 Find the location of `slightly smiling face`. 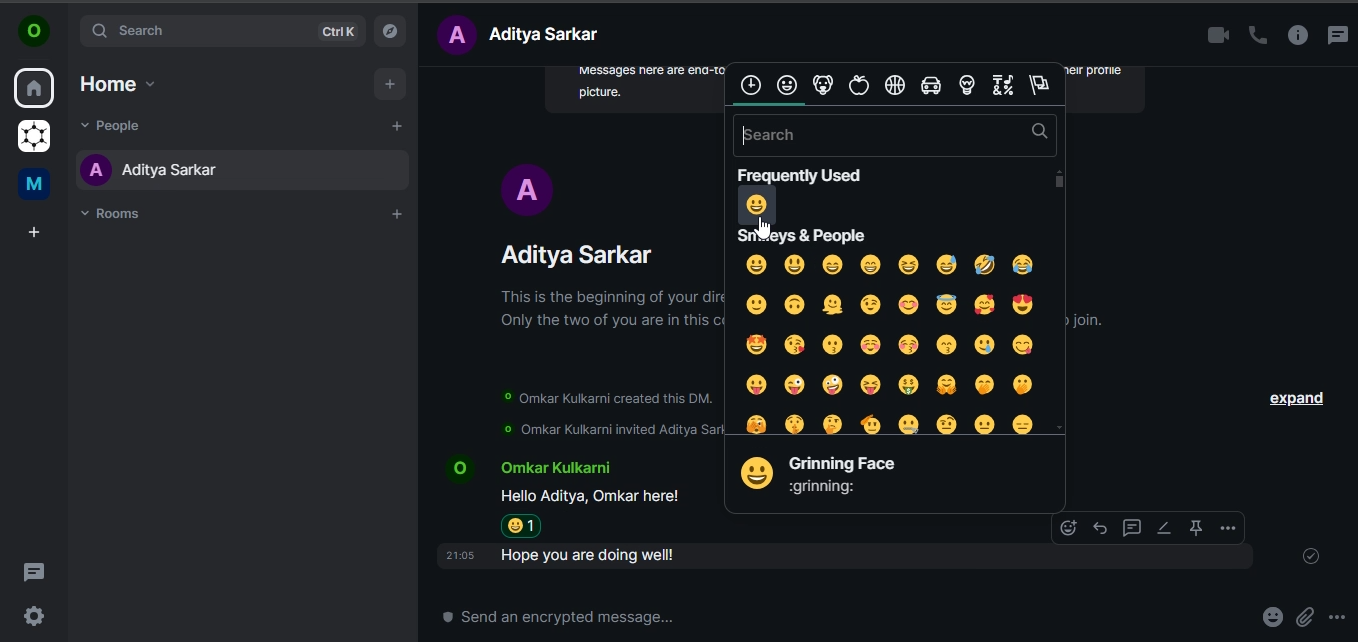

slightly smiling face is located at coordinates (755, 303).